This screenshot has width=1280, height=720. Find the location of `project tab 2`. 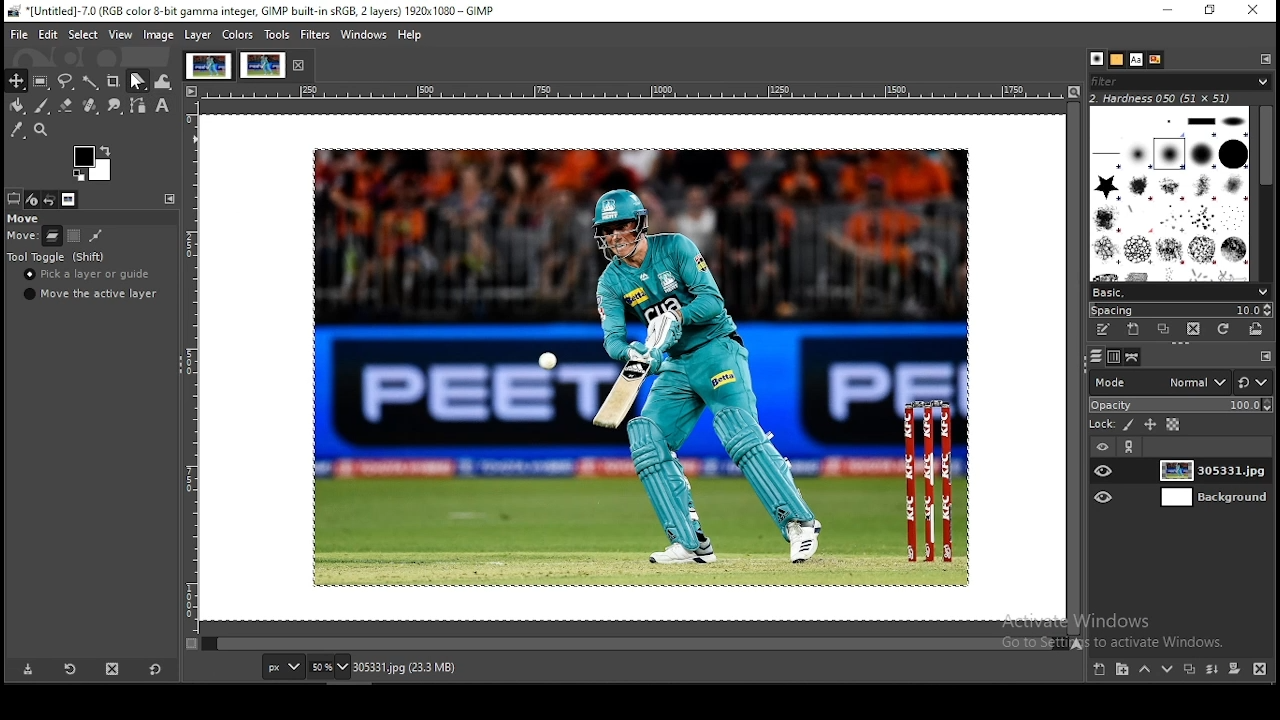

project tab 2 is located at coordinates (263, 65).